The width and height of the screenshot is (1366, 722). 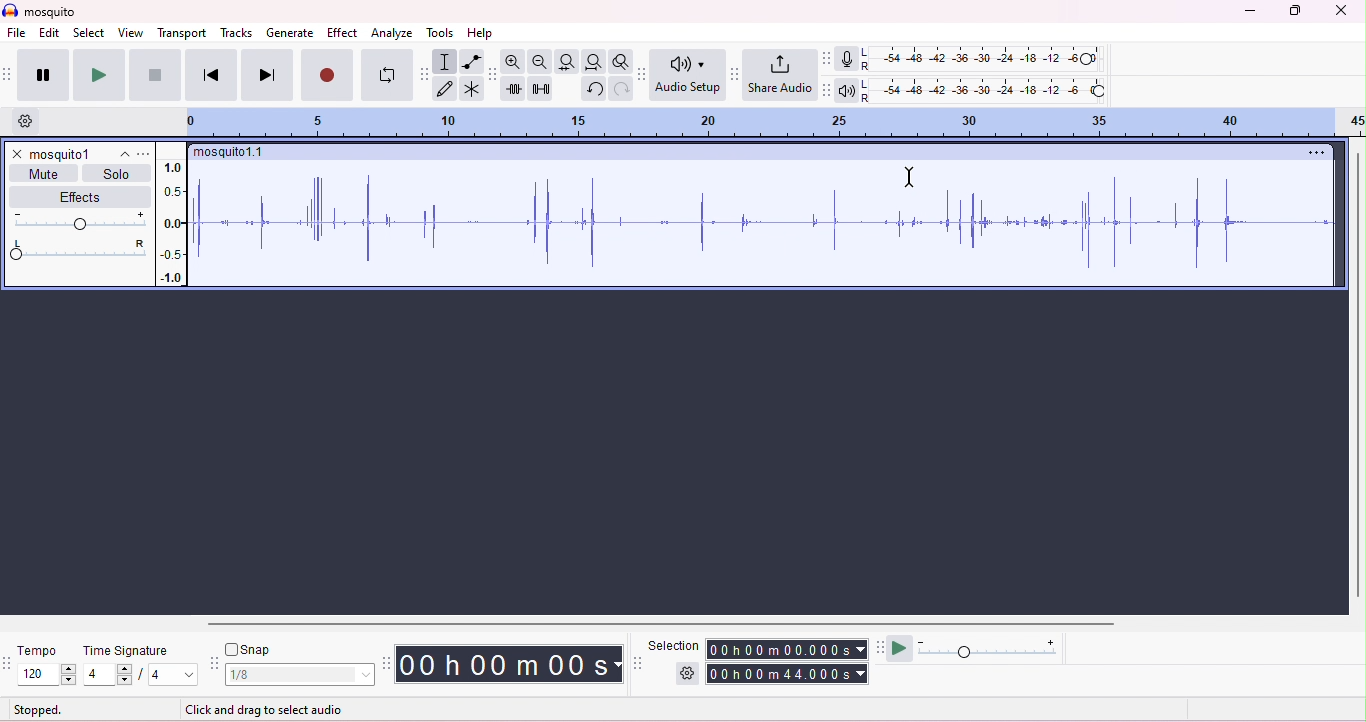 What do you see at coordinates (394, 34) in the screenshot?
I see `analyze` at bounding box center [394, 34].